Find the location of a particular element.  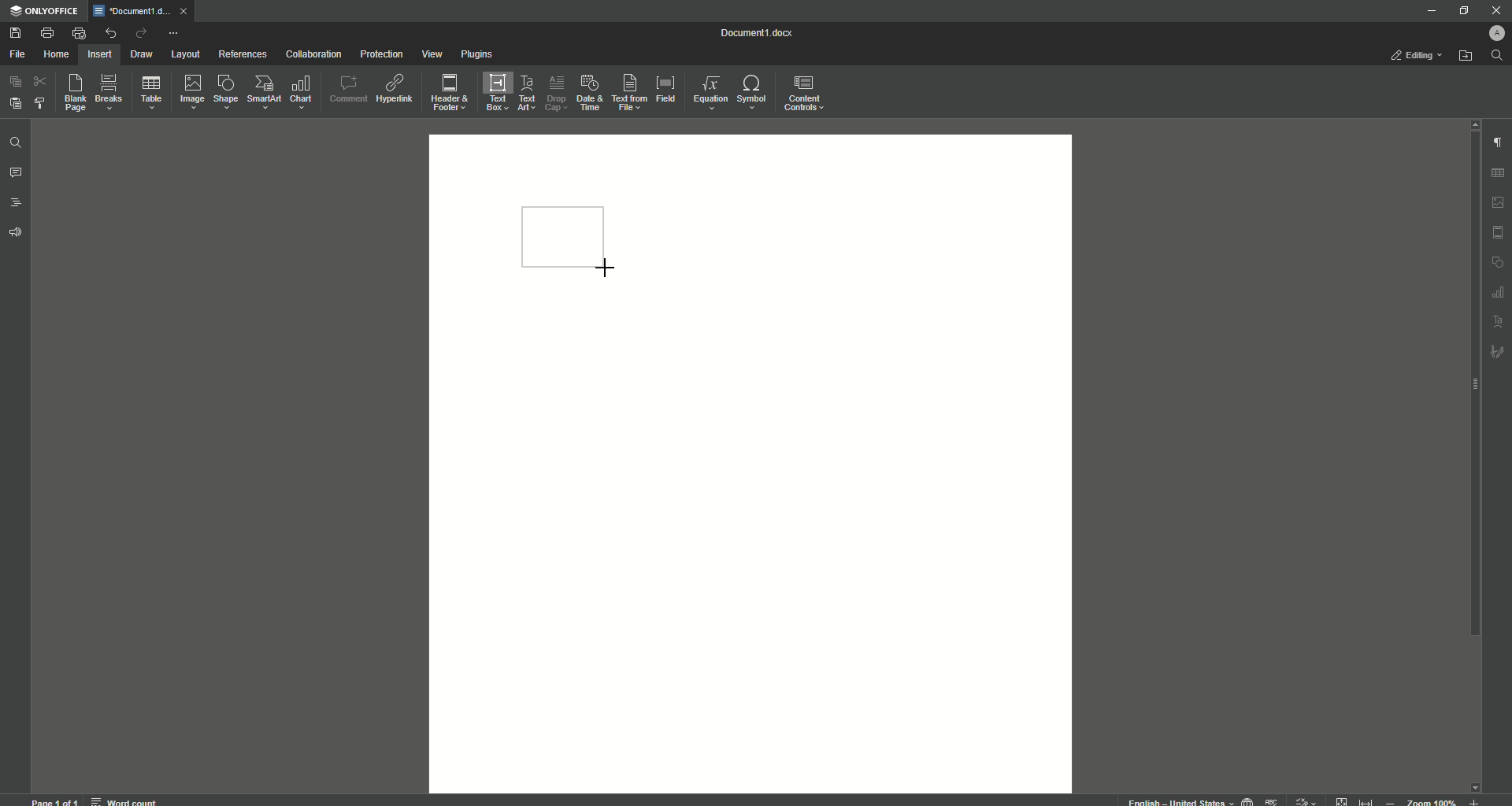

Image is located at coordinates (191, 91).